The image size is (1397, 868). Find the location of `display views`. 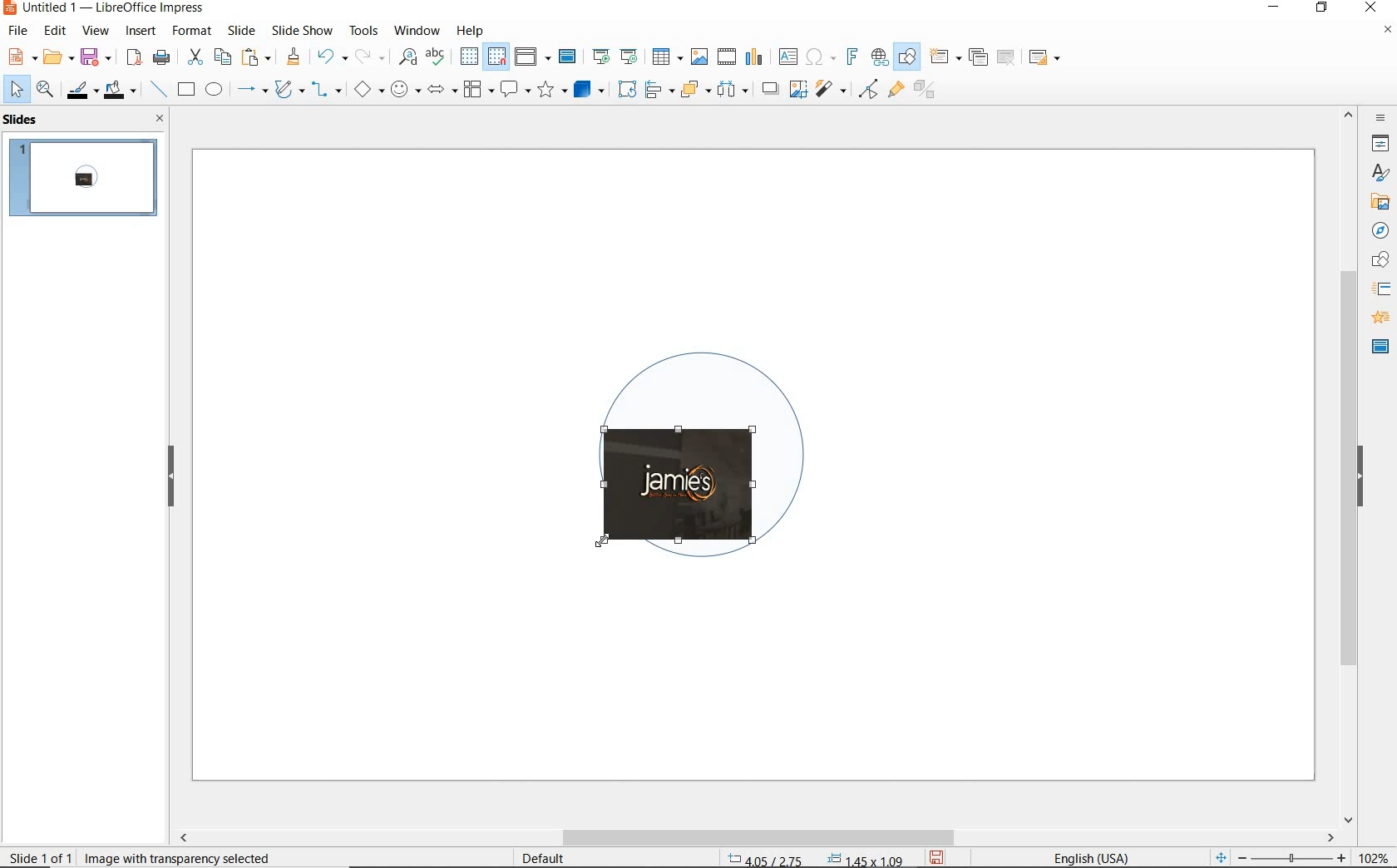

display views is located at coordinates (533, 58).